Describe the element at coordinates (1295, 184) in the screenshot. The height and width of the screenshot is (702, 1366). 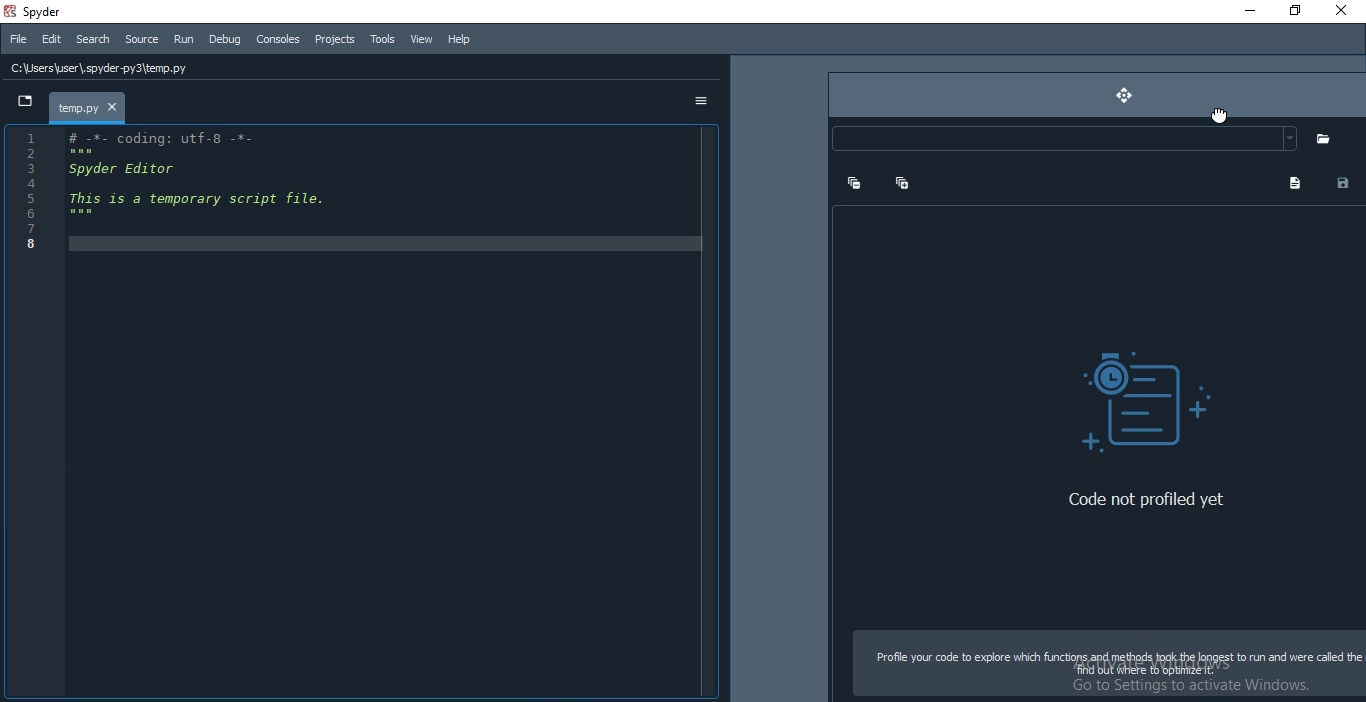
I see `file` at that location.